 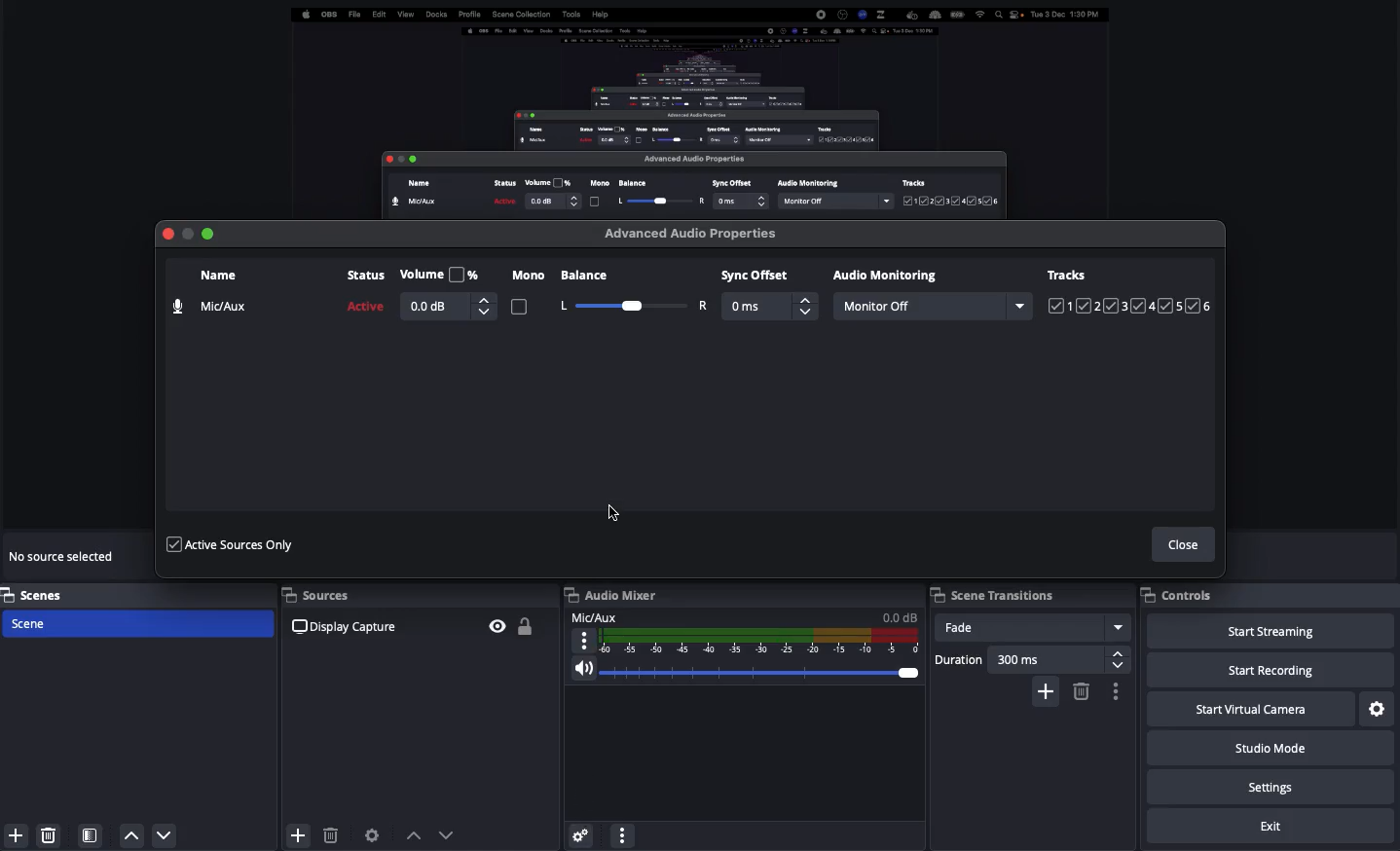 I want to click on Audio mixer, so click(x=610, y=596).